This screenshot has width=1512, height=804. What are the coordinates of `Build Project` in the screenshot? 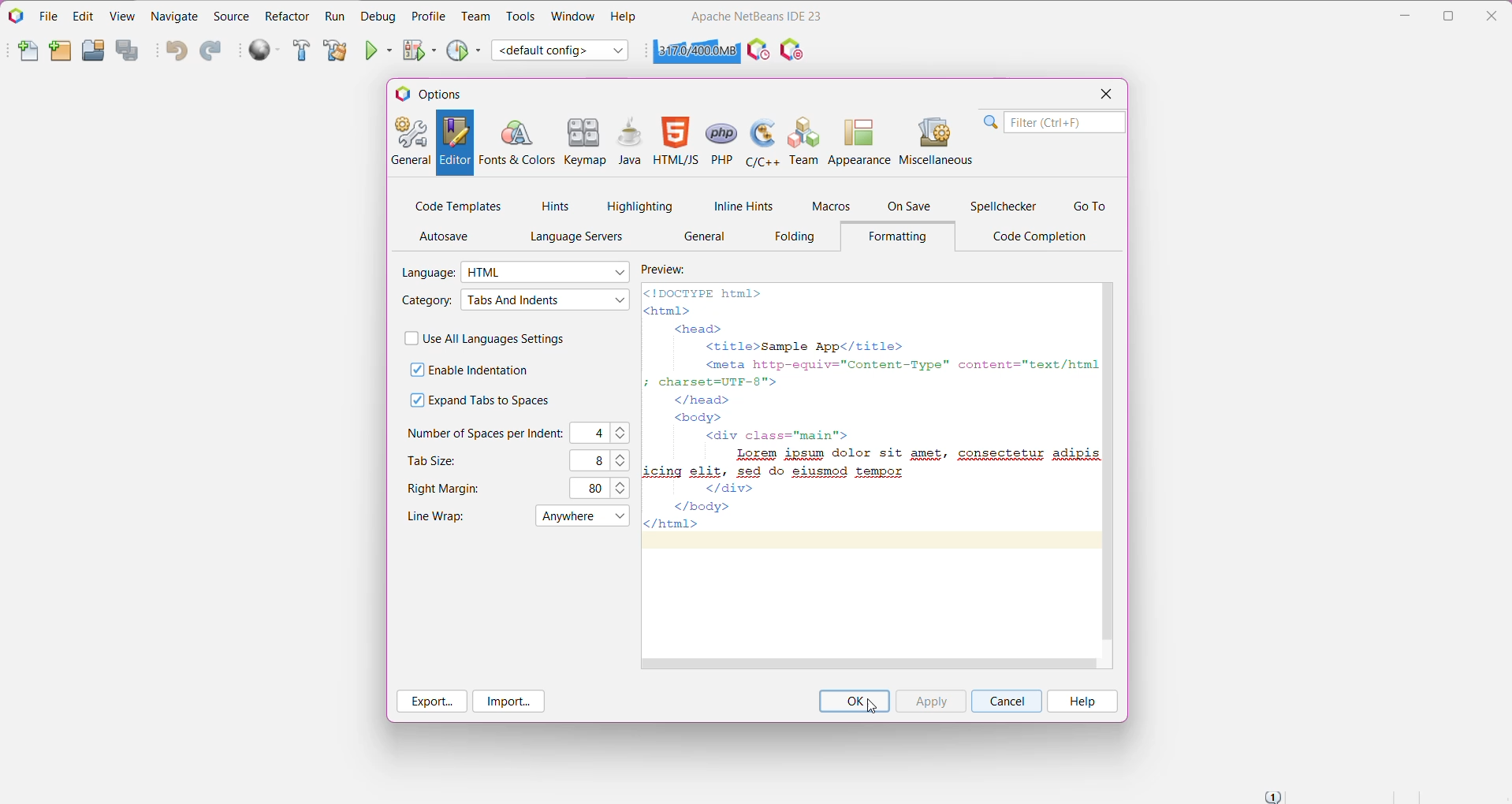 It's located at (302, 51).